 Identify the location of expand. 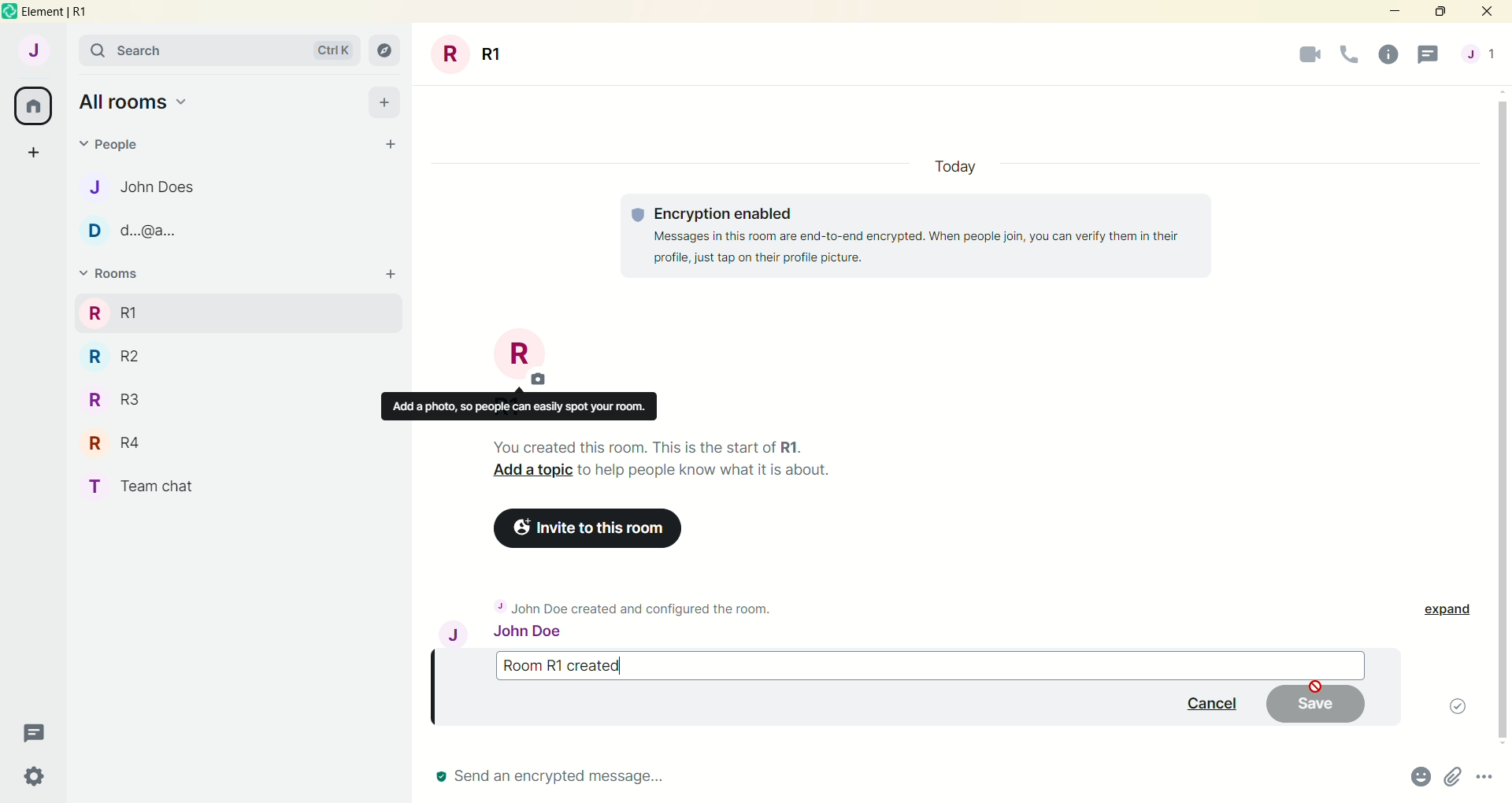
(1443, 608).